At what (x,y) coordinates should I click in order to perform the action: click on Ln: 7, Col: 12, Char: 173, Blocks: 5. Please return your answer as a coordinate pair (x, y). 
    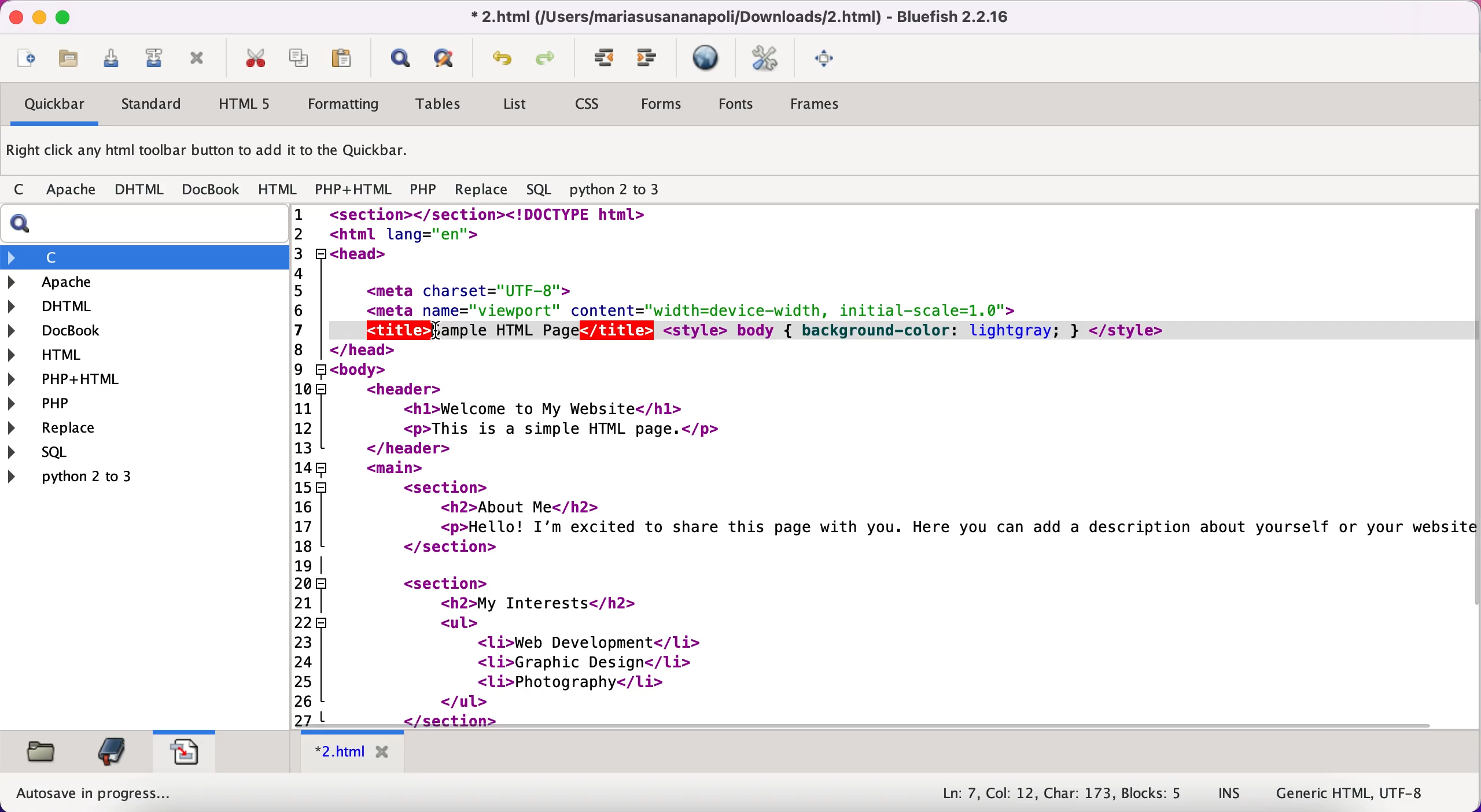
    Looking at the image, I should click on (1063, 794).